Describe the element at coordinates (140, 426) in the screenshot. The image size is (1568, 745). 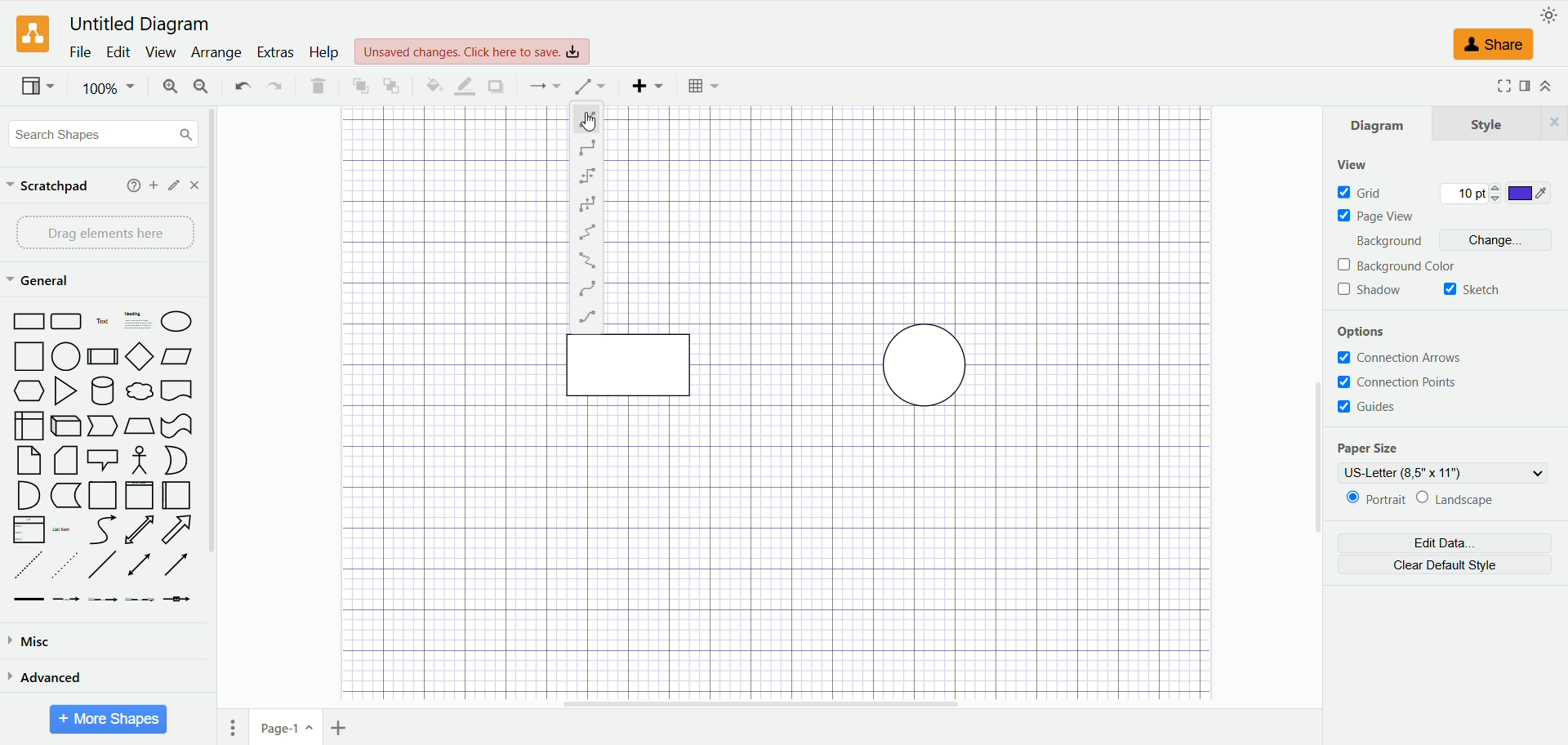
I see `Trapezoid` at that location.